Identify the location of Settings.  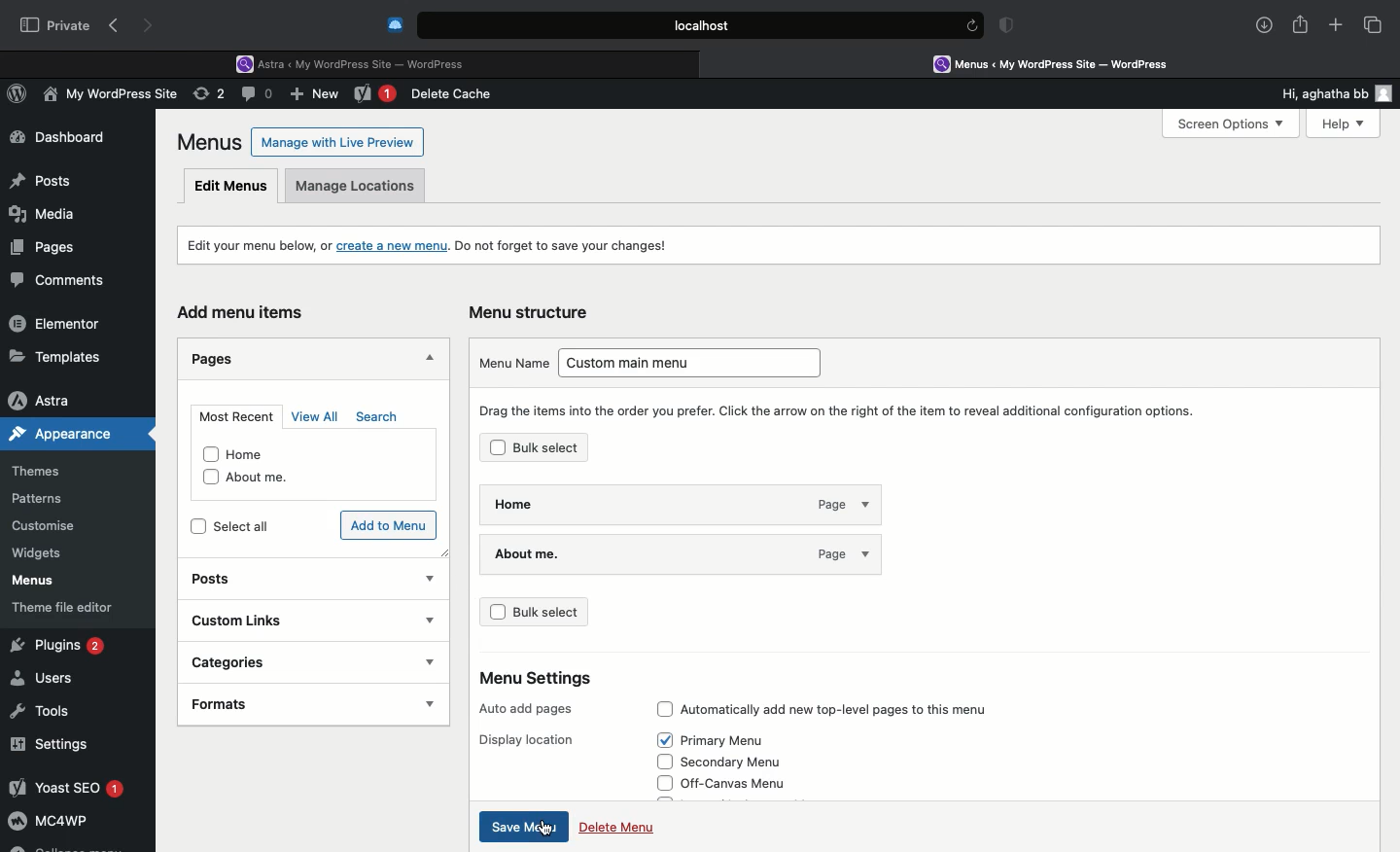
(51, 744).